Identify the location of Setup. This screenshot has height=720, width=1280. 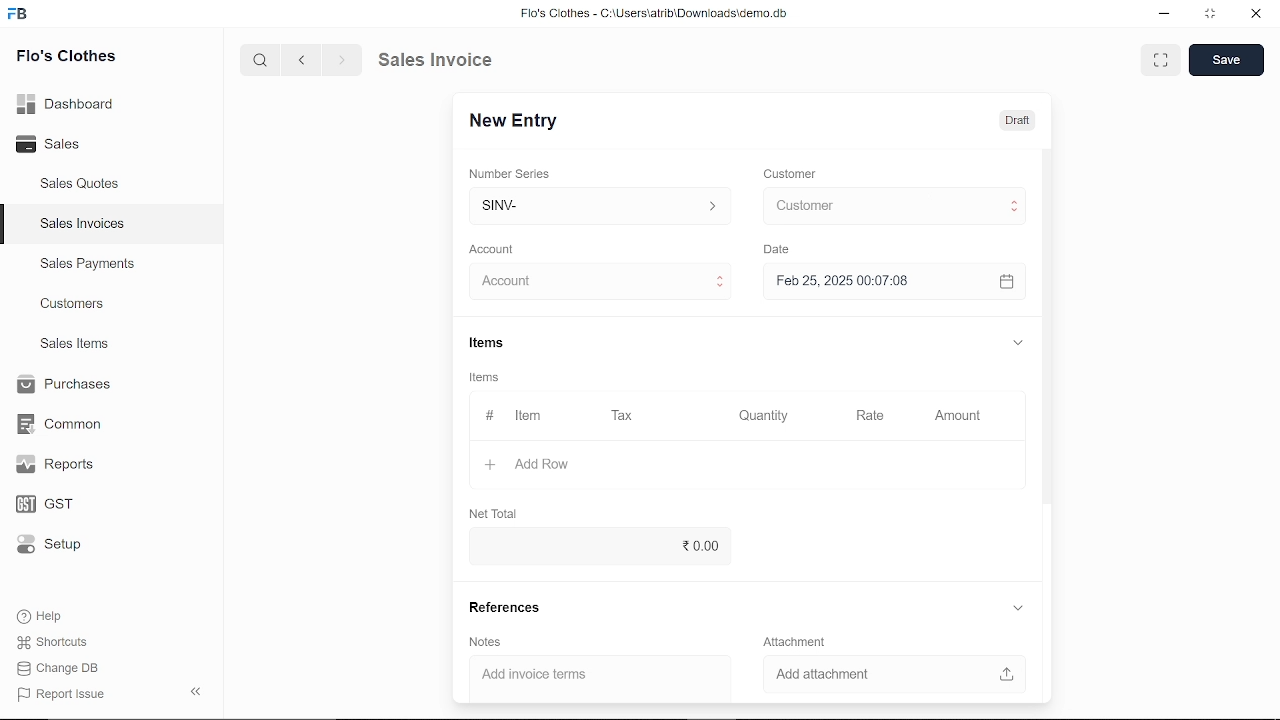
(54, 544).